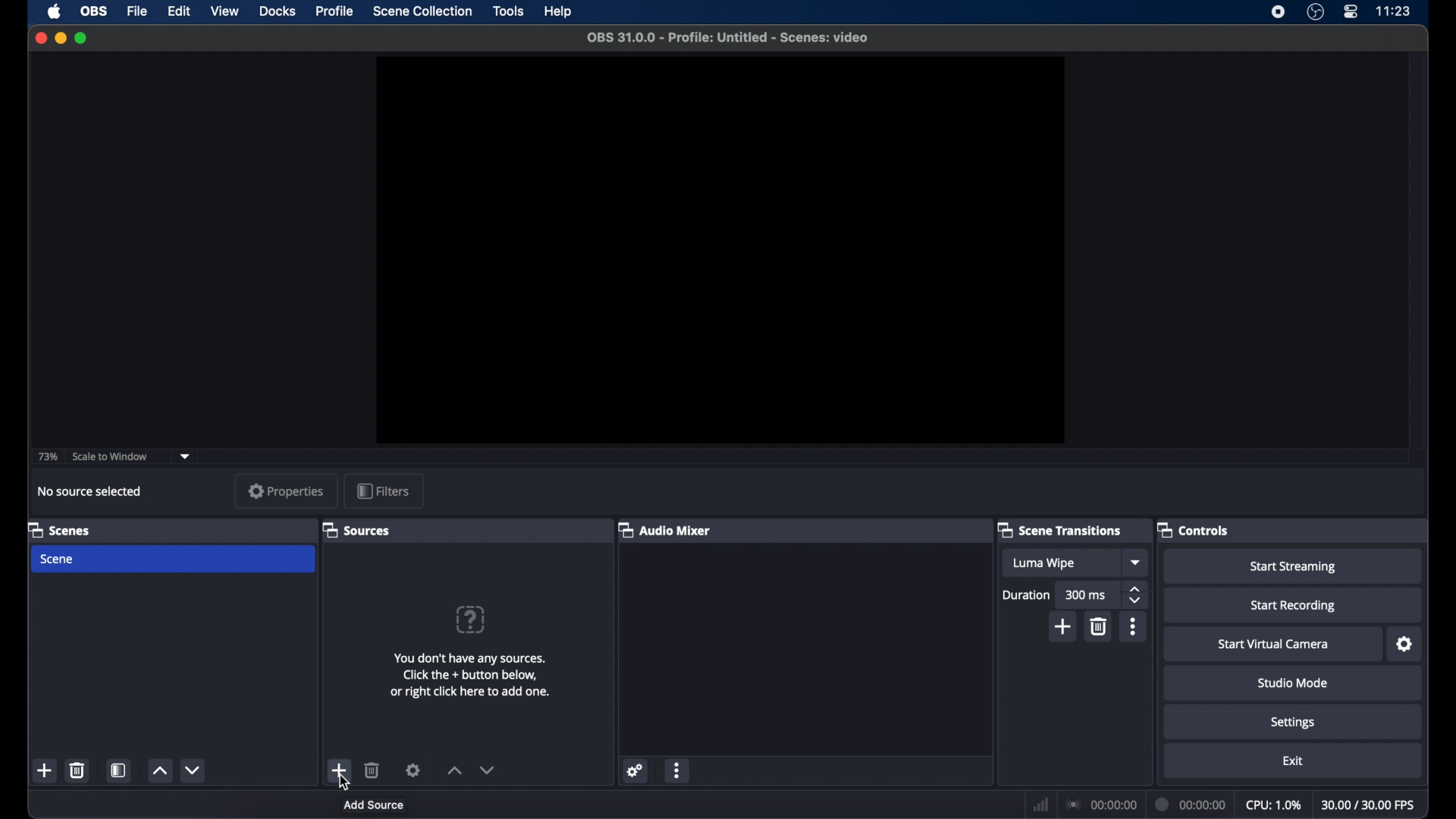 This screenshot has width=1456, height=819. What do you see at coordinates (60, 38) in the screenshot?
I see `minimize` at bounding box center [60, 38].